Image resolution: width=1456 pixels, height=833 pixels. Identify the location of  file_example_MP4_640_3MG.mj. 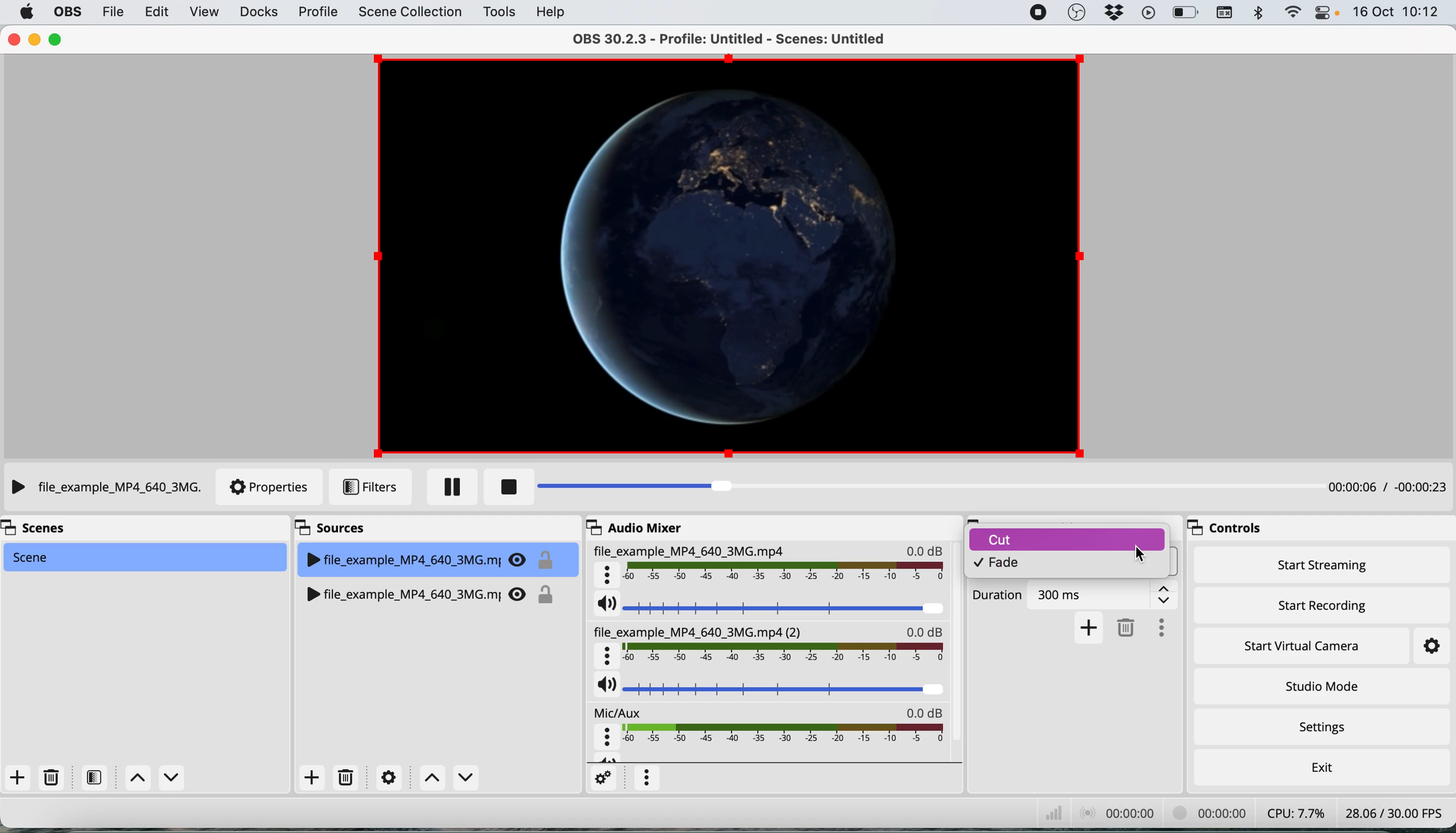
(434, 559).